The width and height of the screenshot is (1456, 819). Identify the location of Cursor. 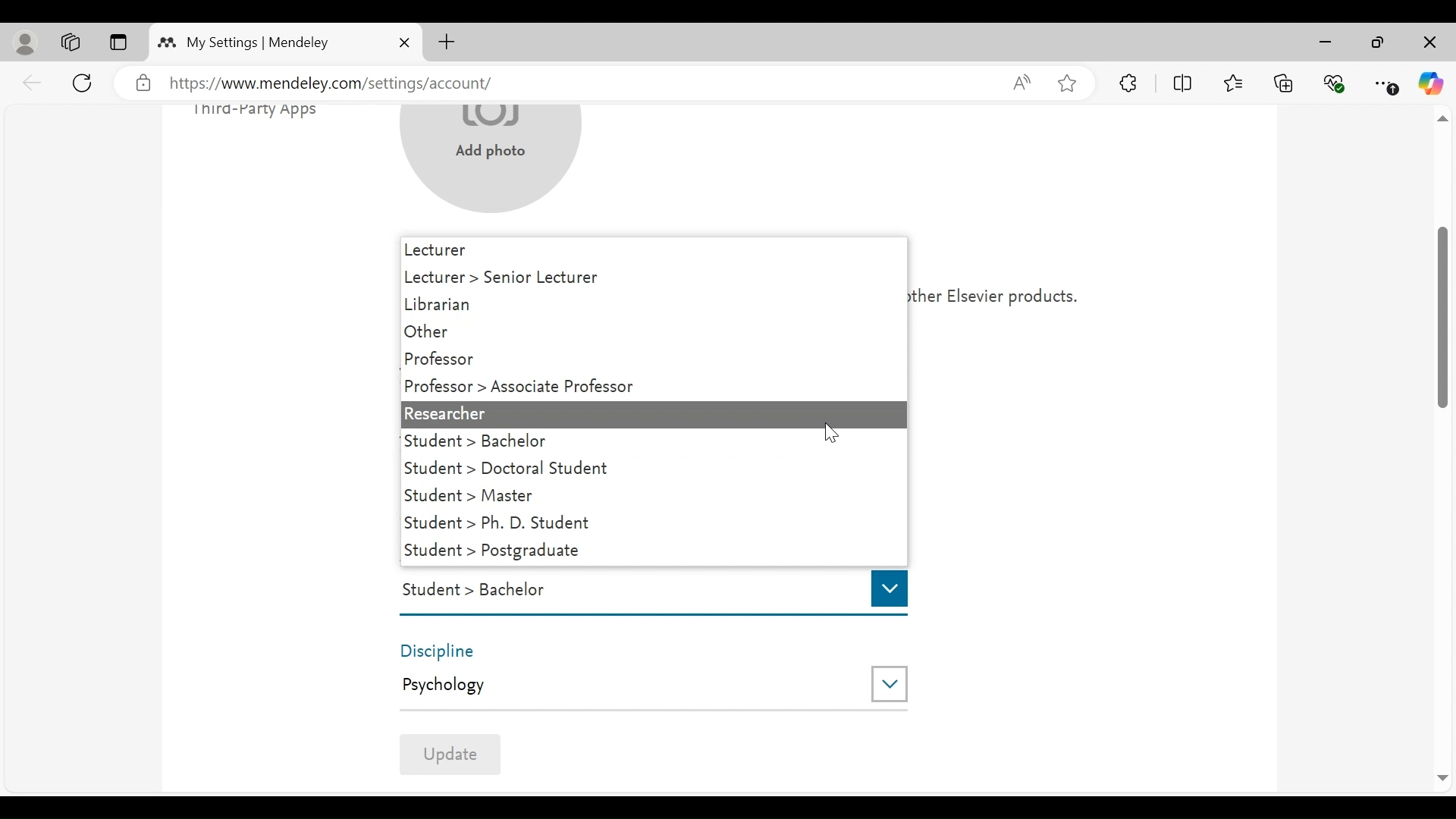
(832, 433).